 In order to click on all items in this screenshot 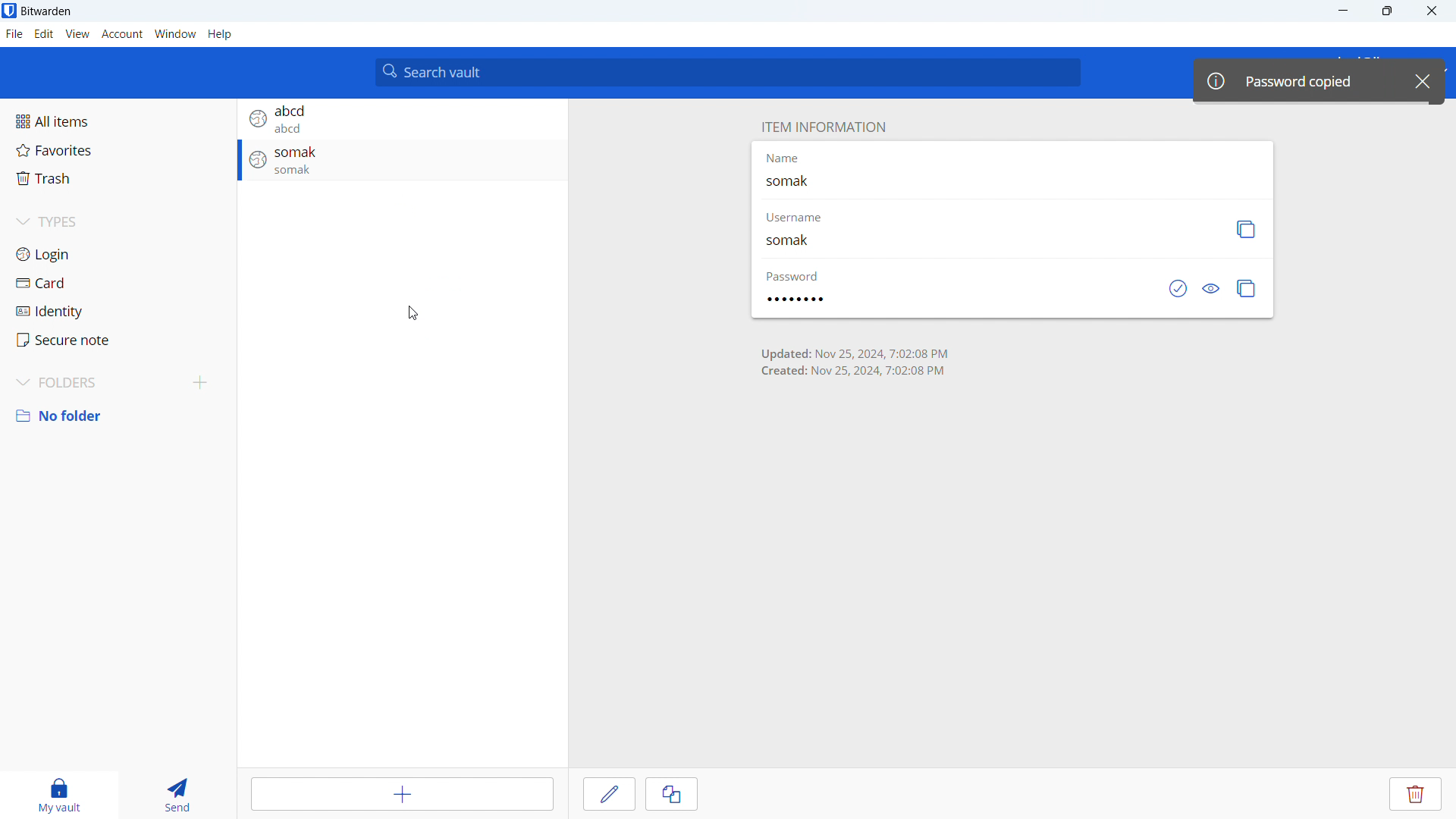, I will do `click(117, 121)`.